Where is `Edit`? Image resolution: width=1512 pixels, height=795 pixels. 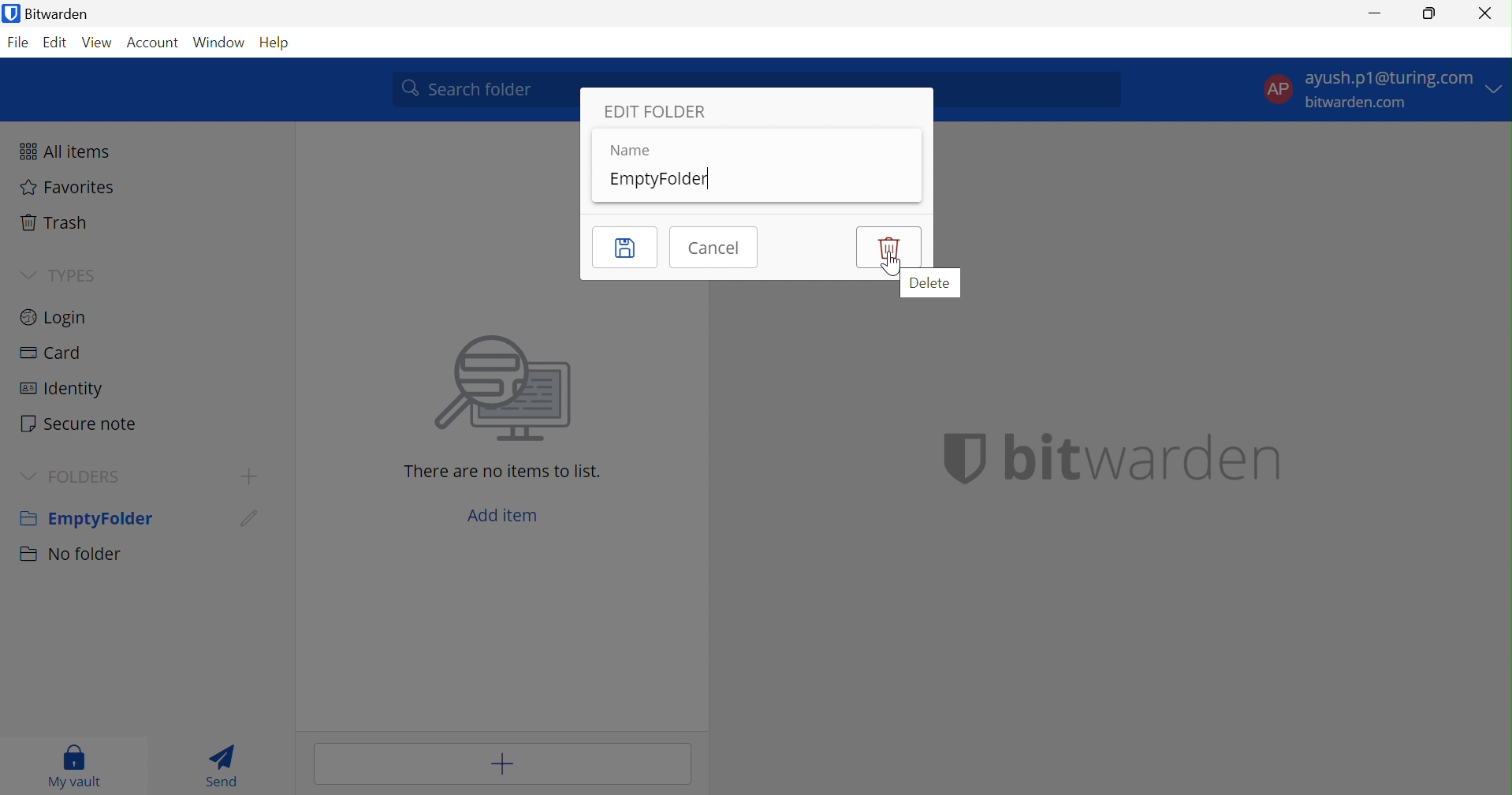
Edit is located at coordinates (56, 43).